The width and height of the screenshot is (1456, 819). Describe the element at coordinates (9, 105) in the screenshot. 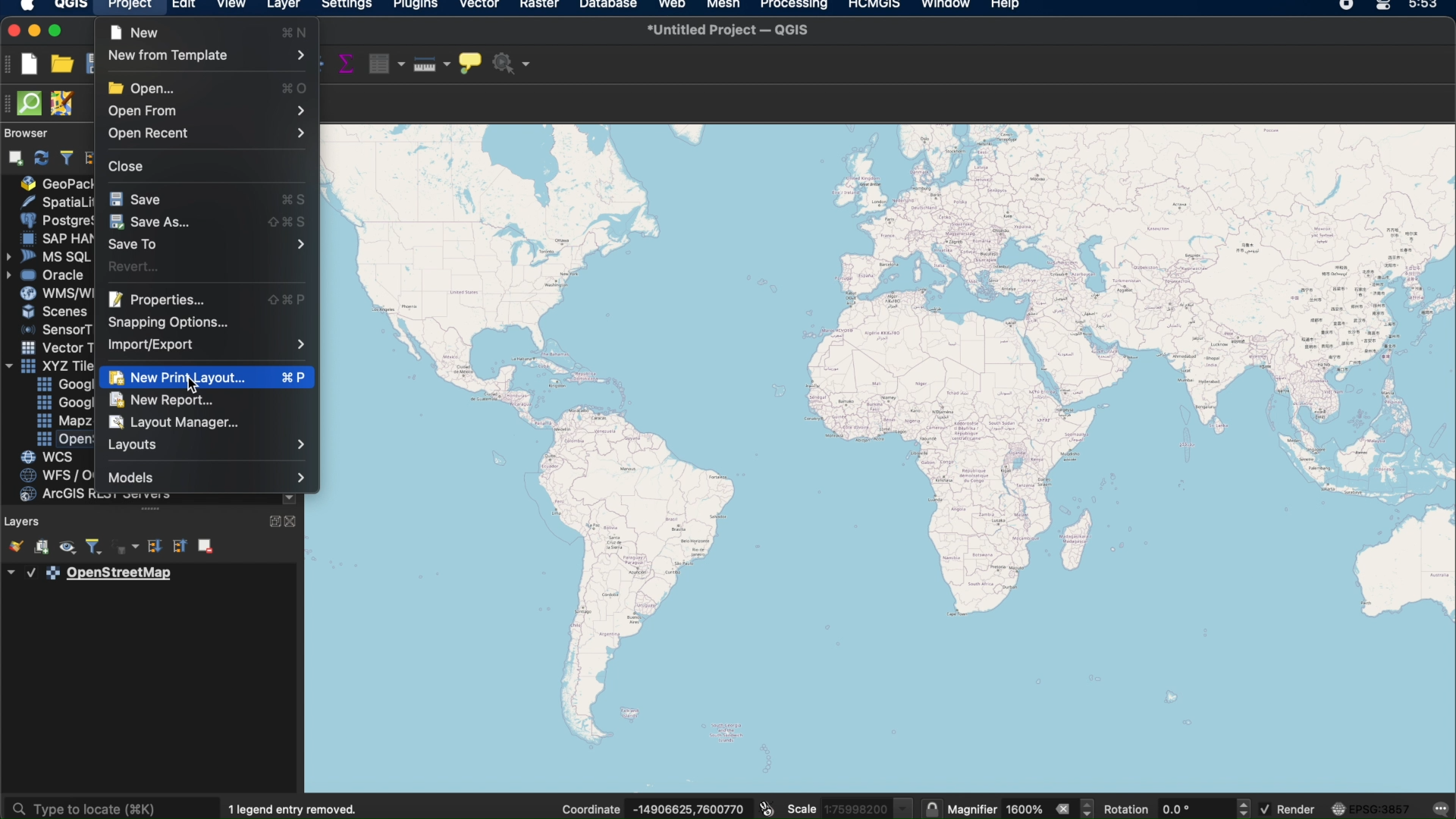

I see `hidden toolbar` at that location.